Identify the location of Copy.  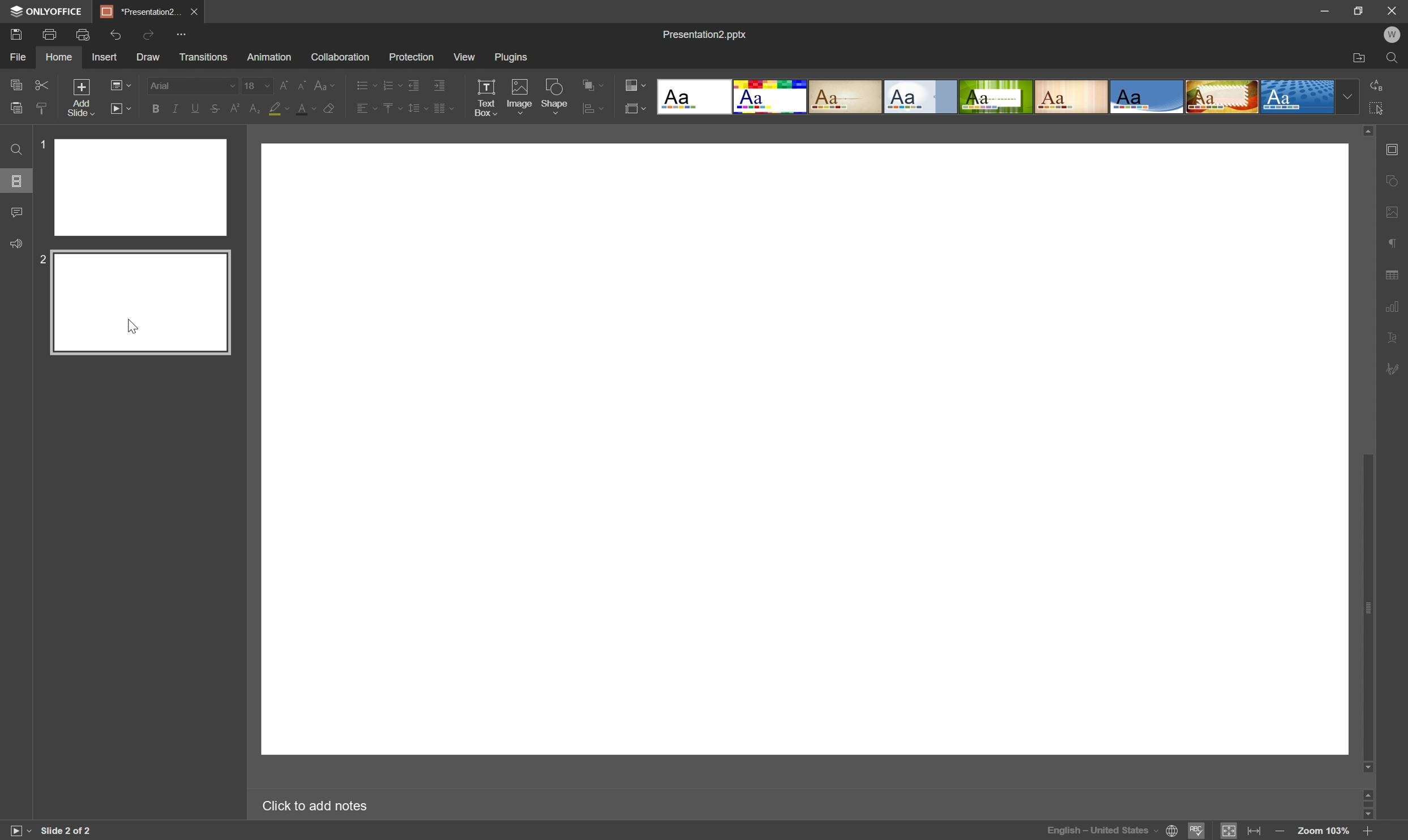
(18, 84).